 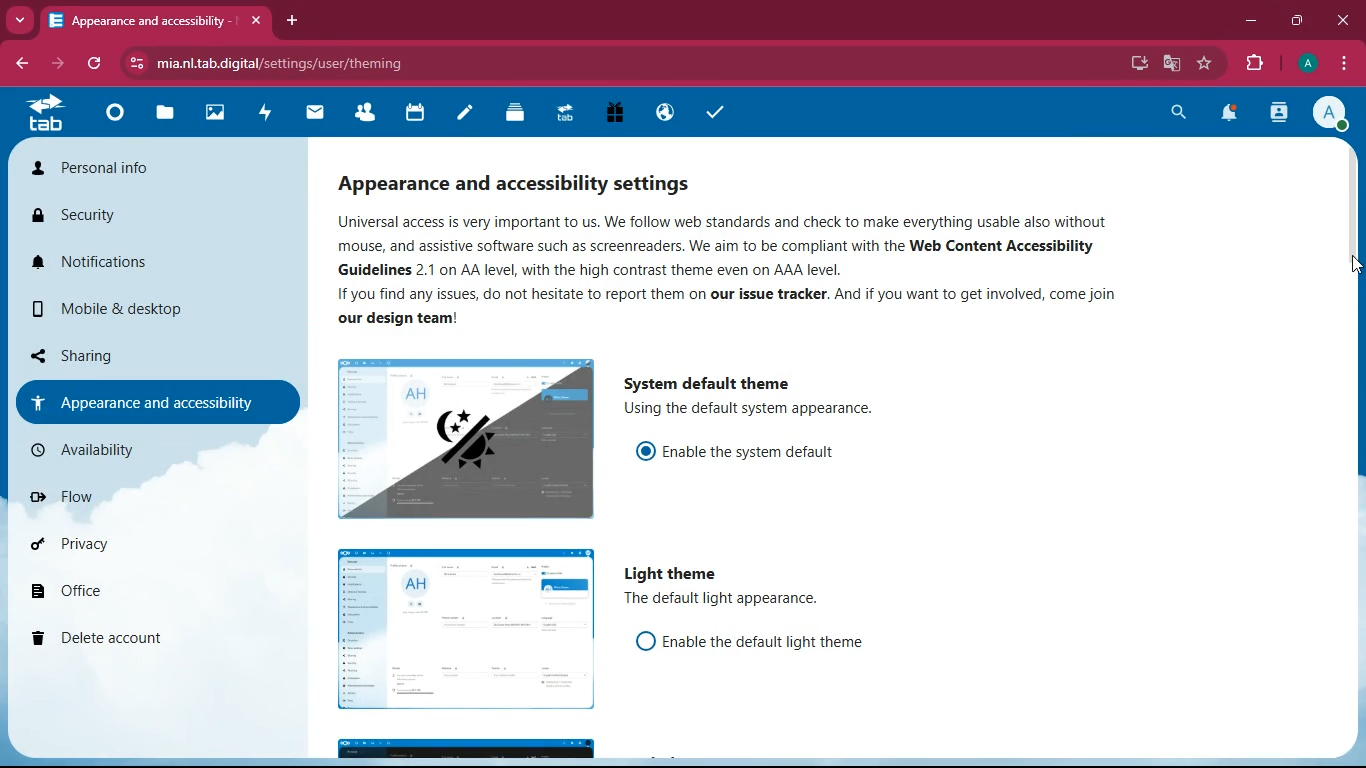 What do you see at coordinates (1180, 114) in the screenshot?
I see `search` at bounding box center [1180, 114].